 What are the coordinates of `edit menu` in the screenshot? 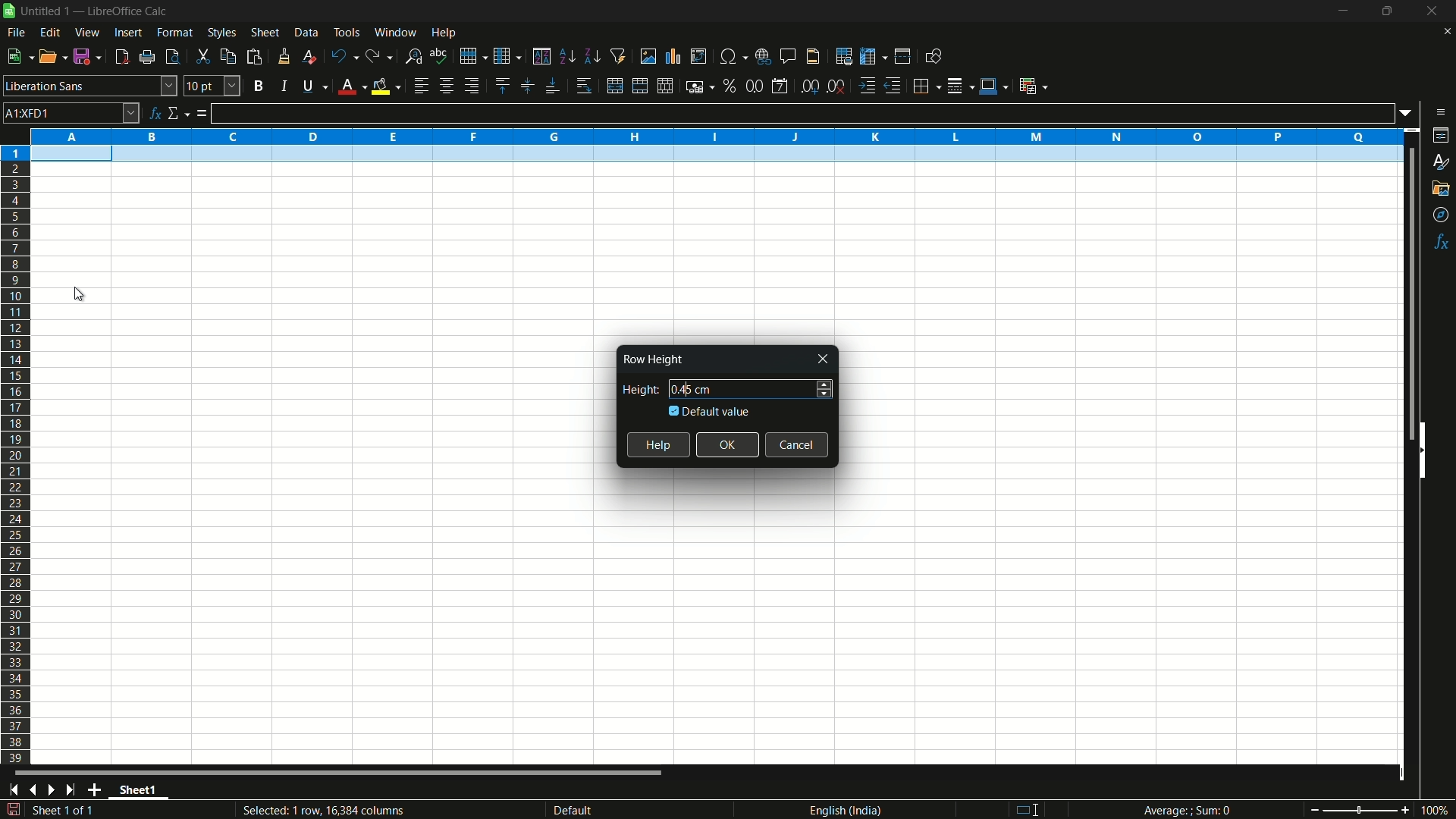 It's located at (50, 32).